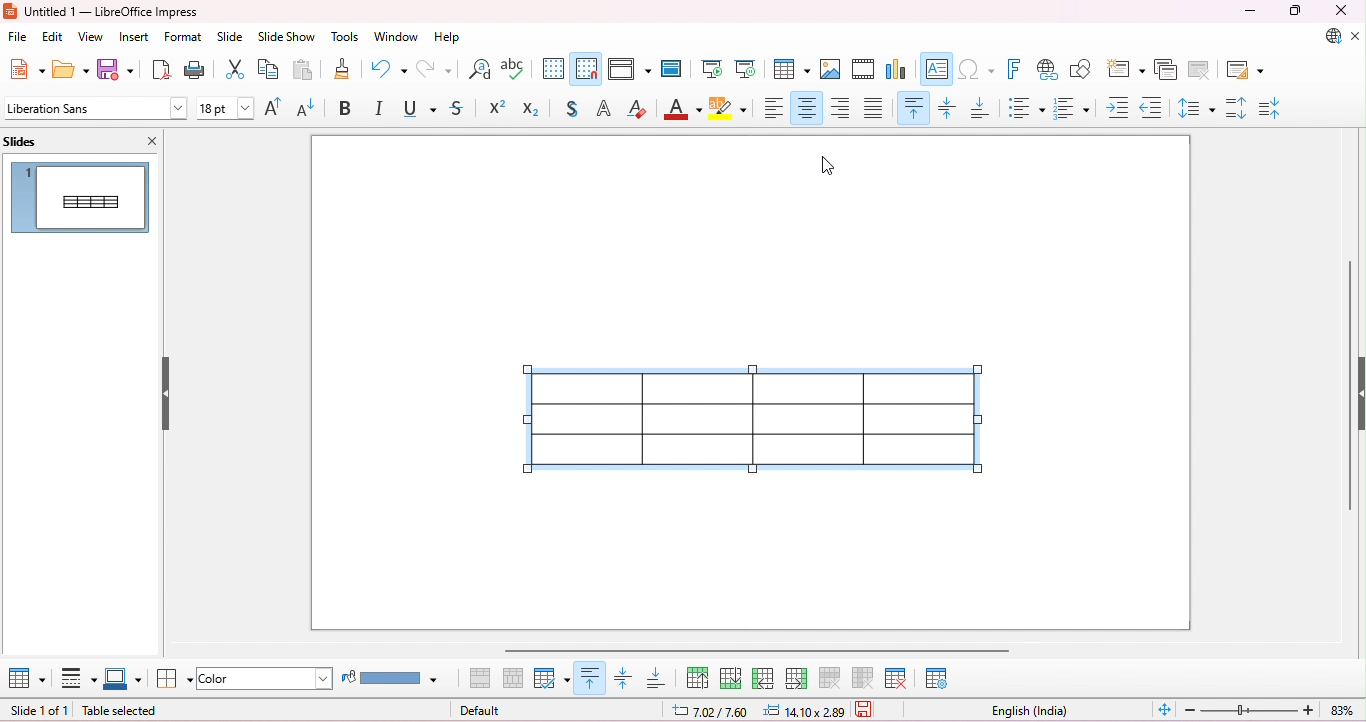 The height and width of the screenshot is (722, 1366). What do you see at coordinates (713, 69) in the screenshot?
I see `start from first slide` at bounding box center [713, 69].